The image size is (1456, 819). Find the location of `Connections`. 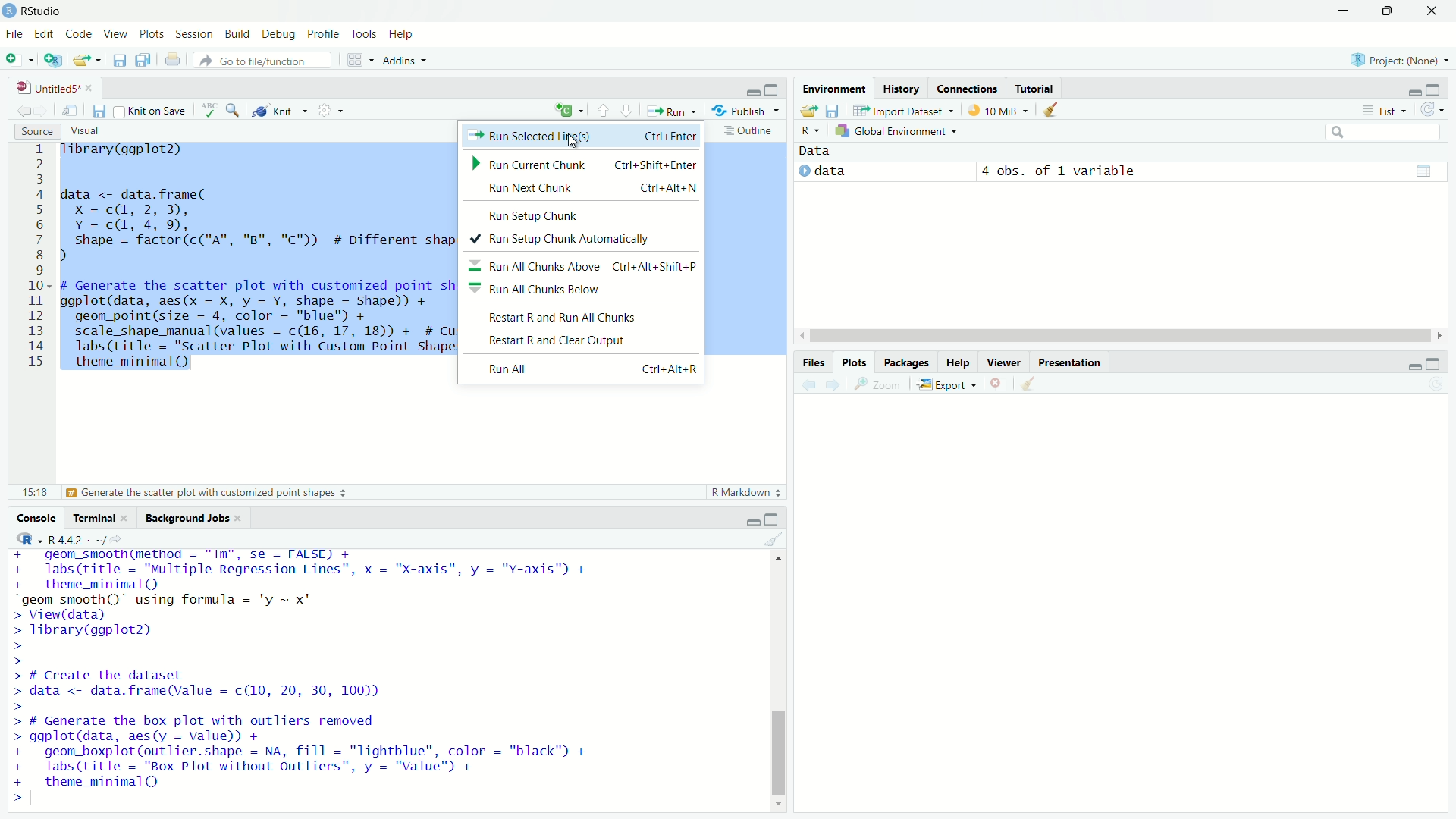

Connections is located at coordinates (966, 87).